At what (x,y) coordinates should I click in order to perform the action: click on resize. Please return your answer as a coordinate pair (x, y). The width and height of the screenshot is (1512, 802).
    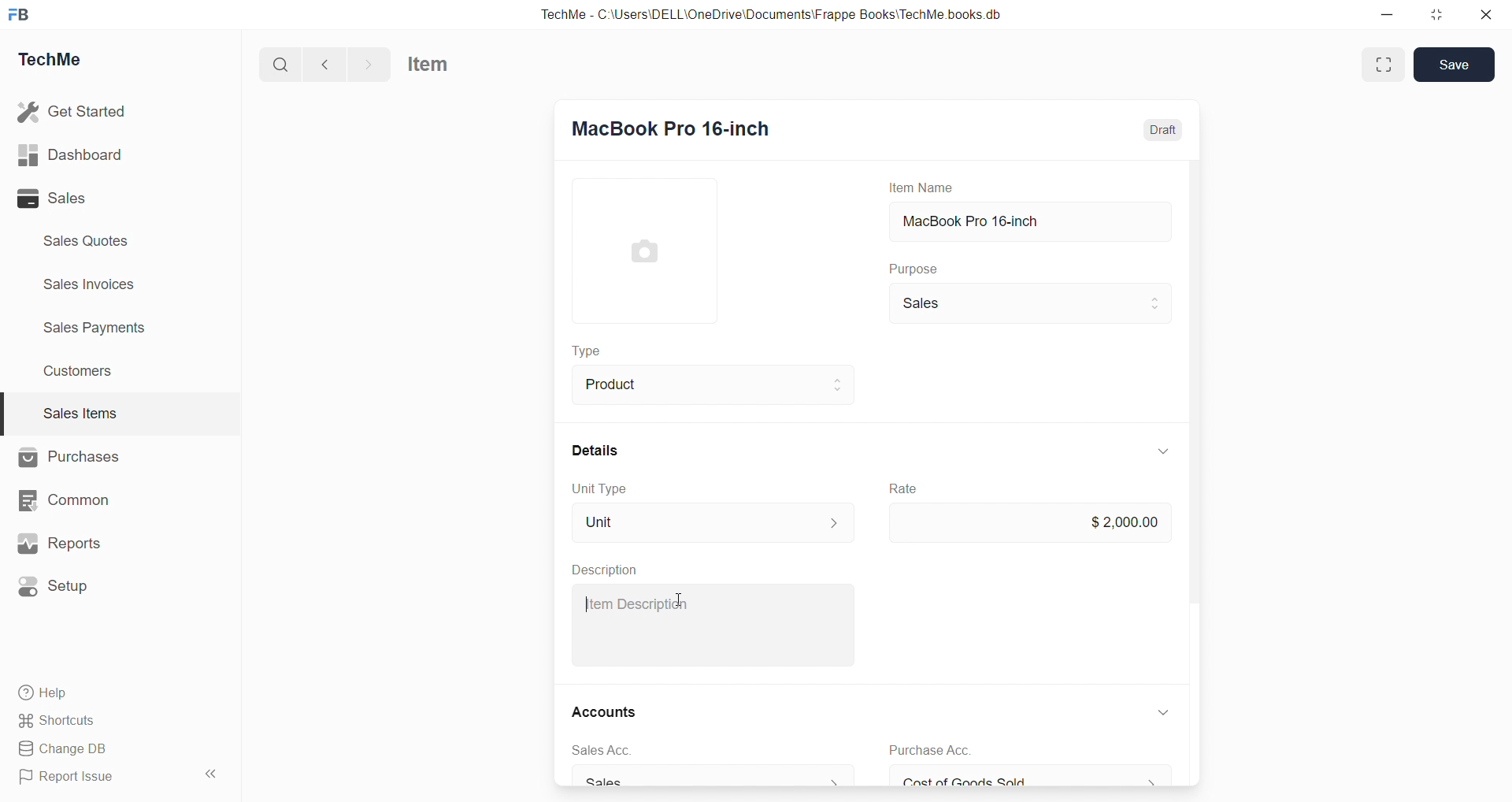
    Looking at the image, I should click on (1436, 15).